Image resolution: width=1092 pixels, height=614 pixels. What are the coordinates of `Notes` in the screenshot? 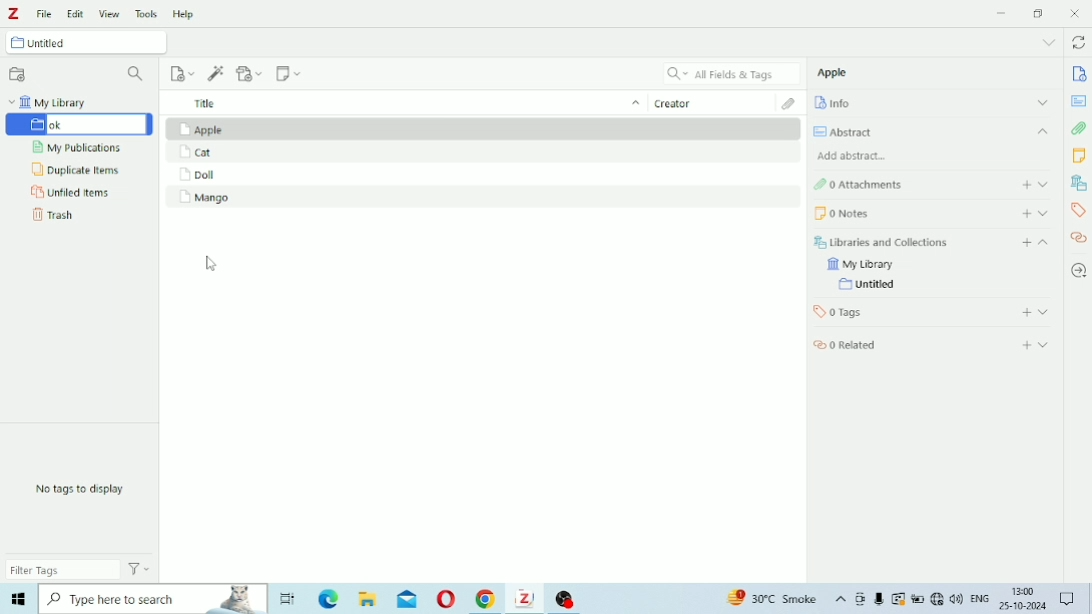 It's located at (1079, 156).